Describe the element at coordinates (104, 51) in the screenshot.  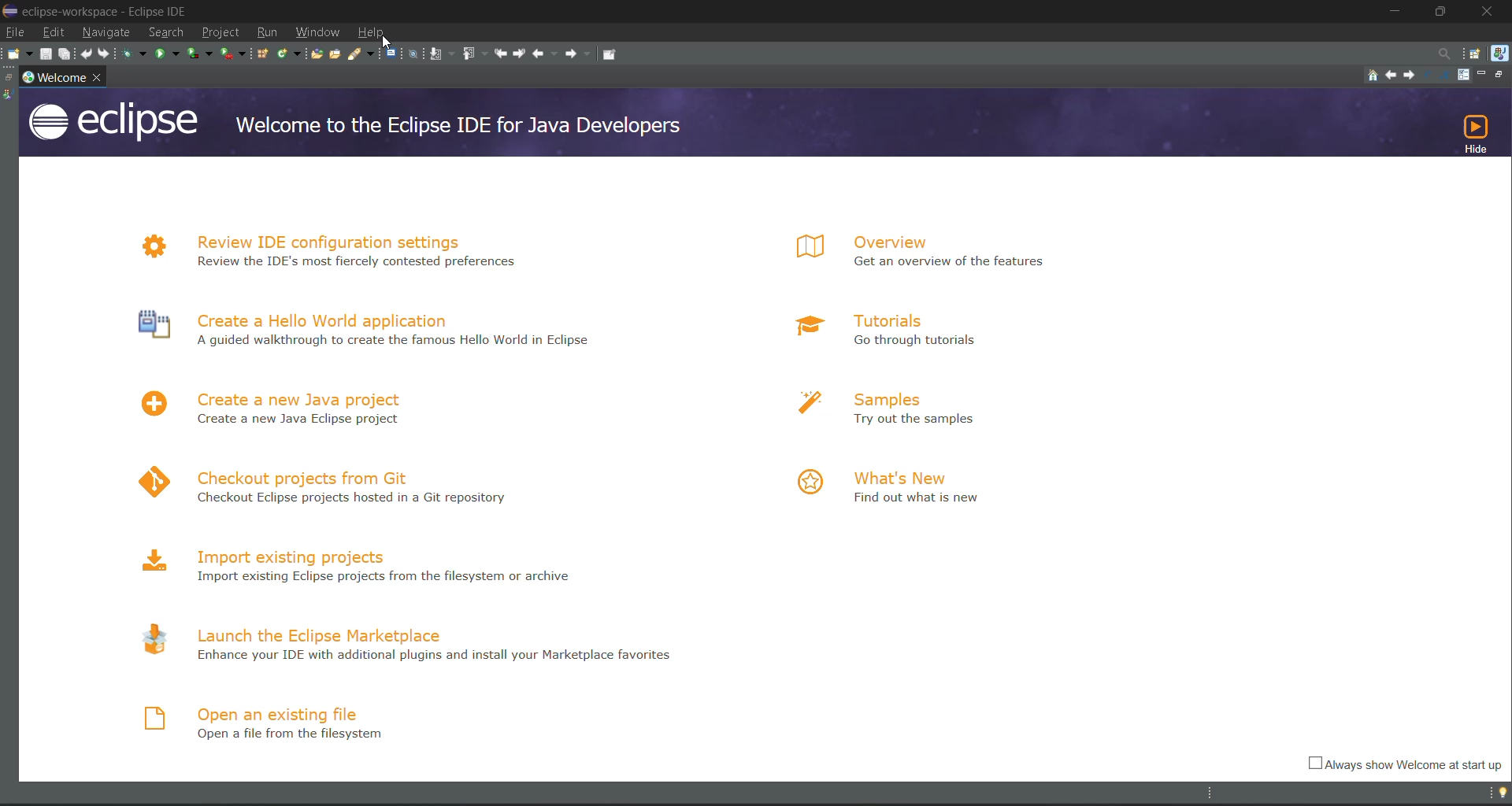
I see `redo` at that location.